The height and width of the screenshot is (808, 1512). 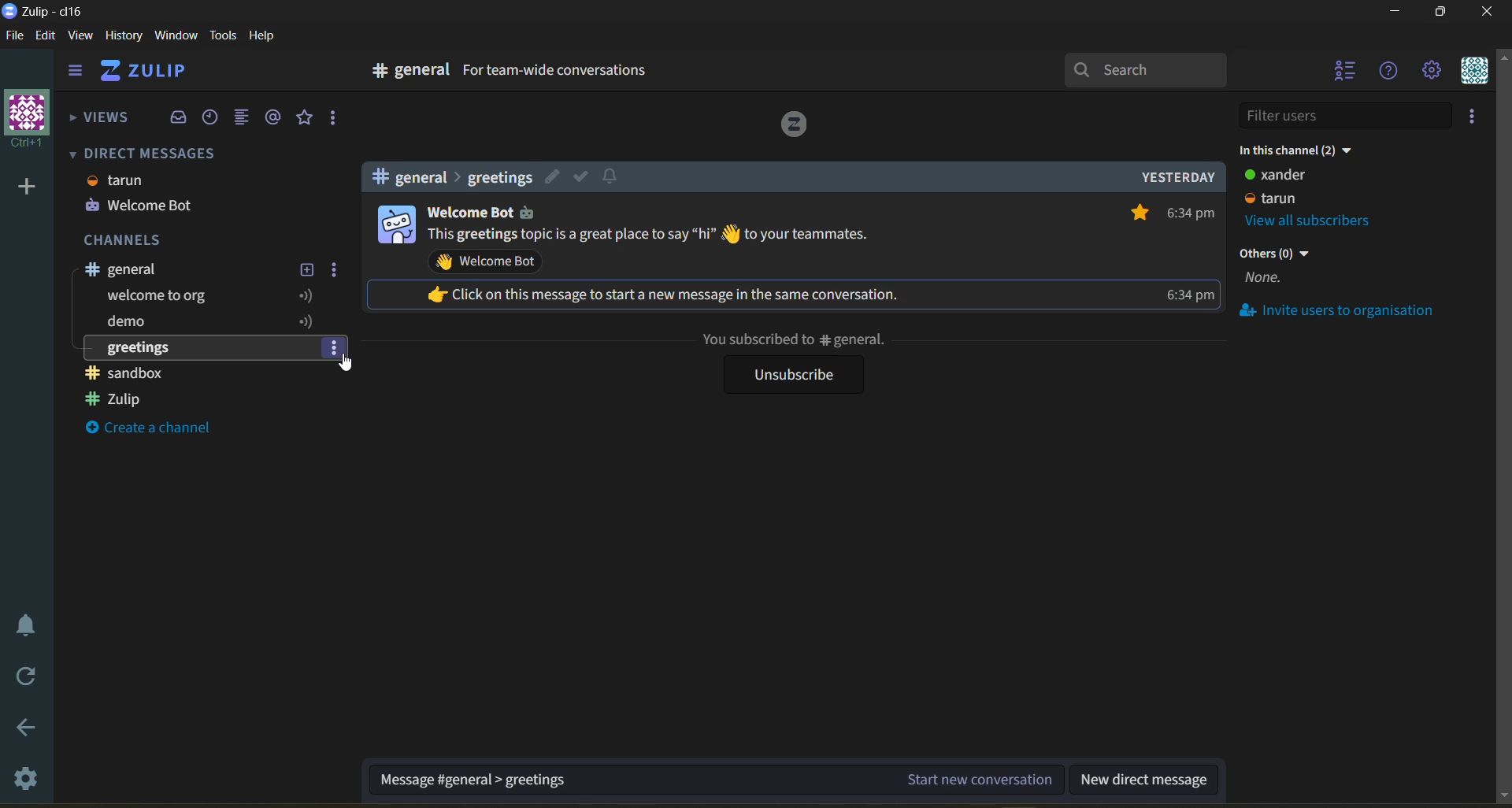 I want to click on welcome bot, so click(x=489, y=263).